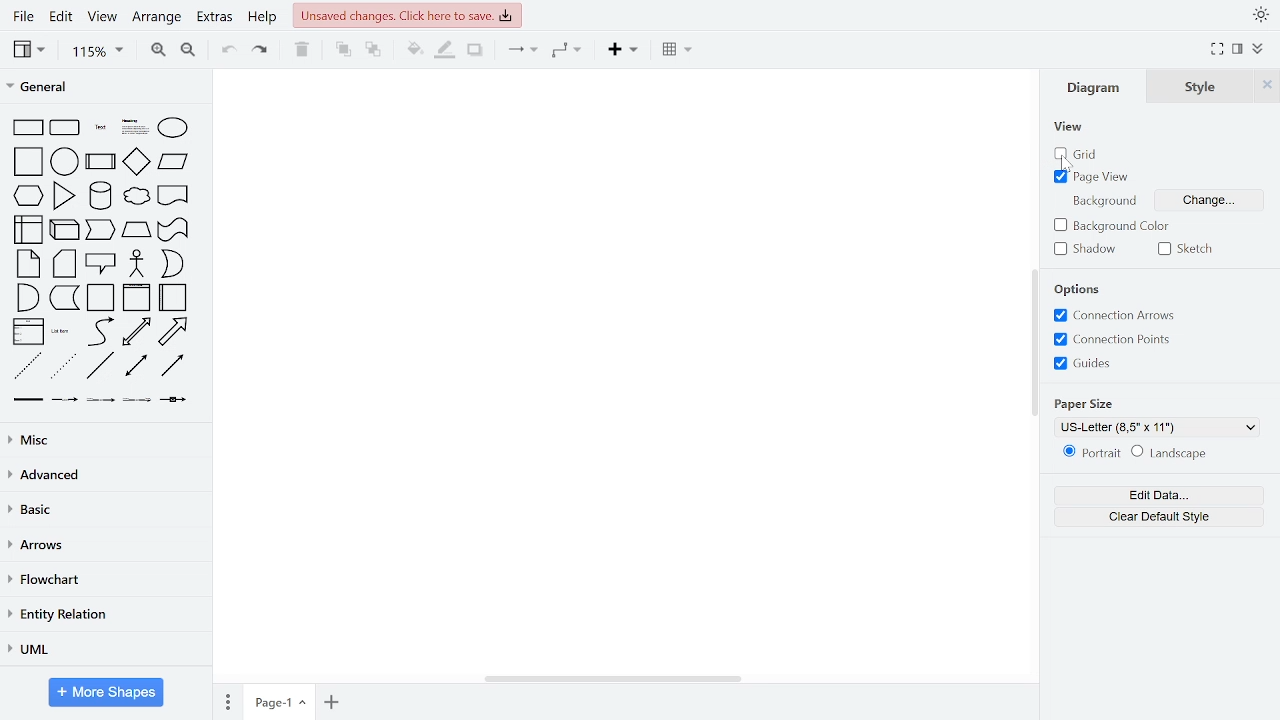 The image size is (1280, 720). What do you see at coordinates (217, 19) in the screenshot?
I see `extras` at bounding box center [217, 19].